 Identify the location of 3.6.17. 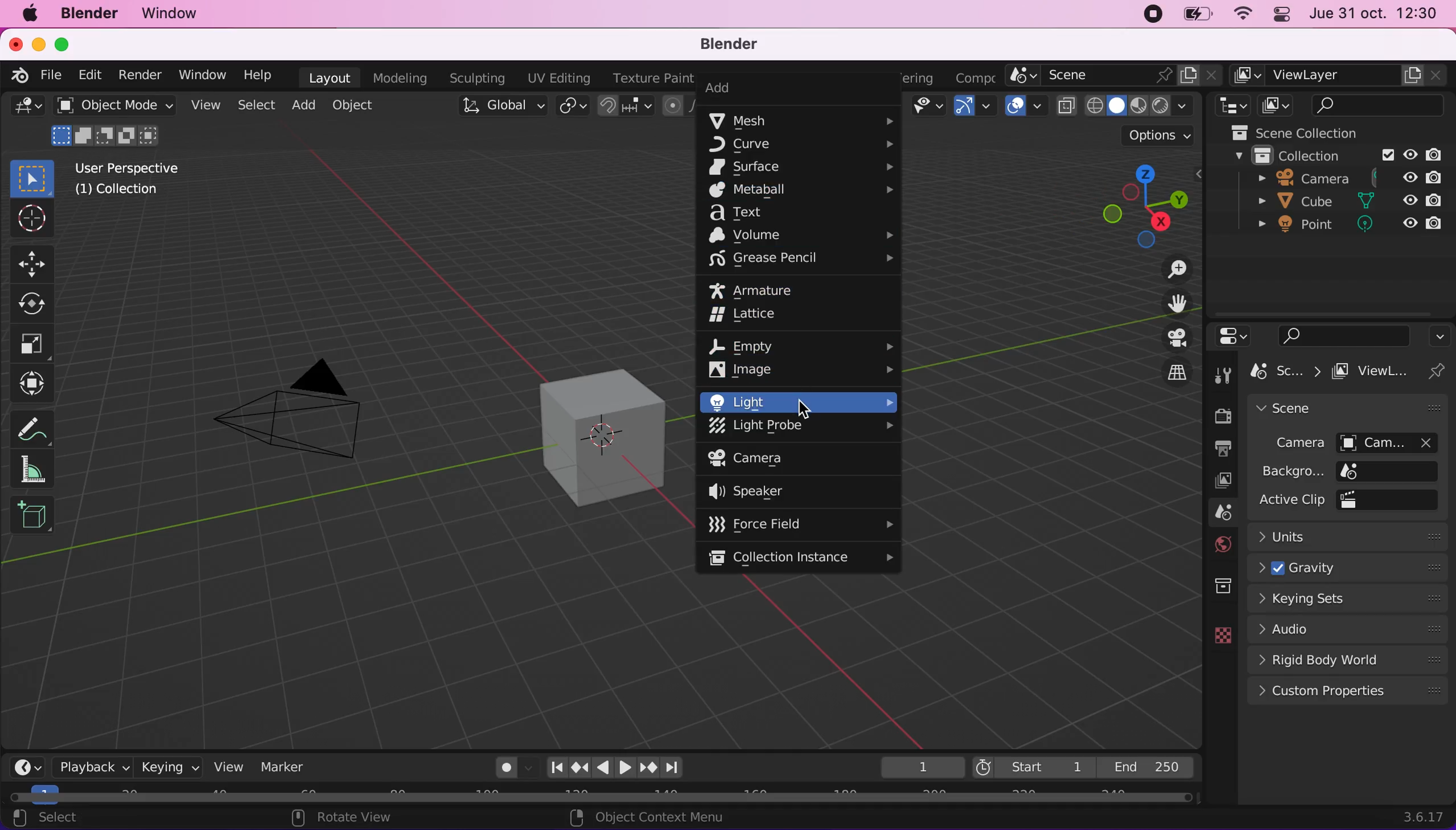
(1425, 817).